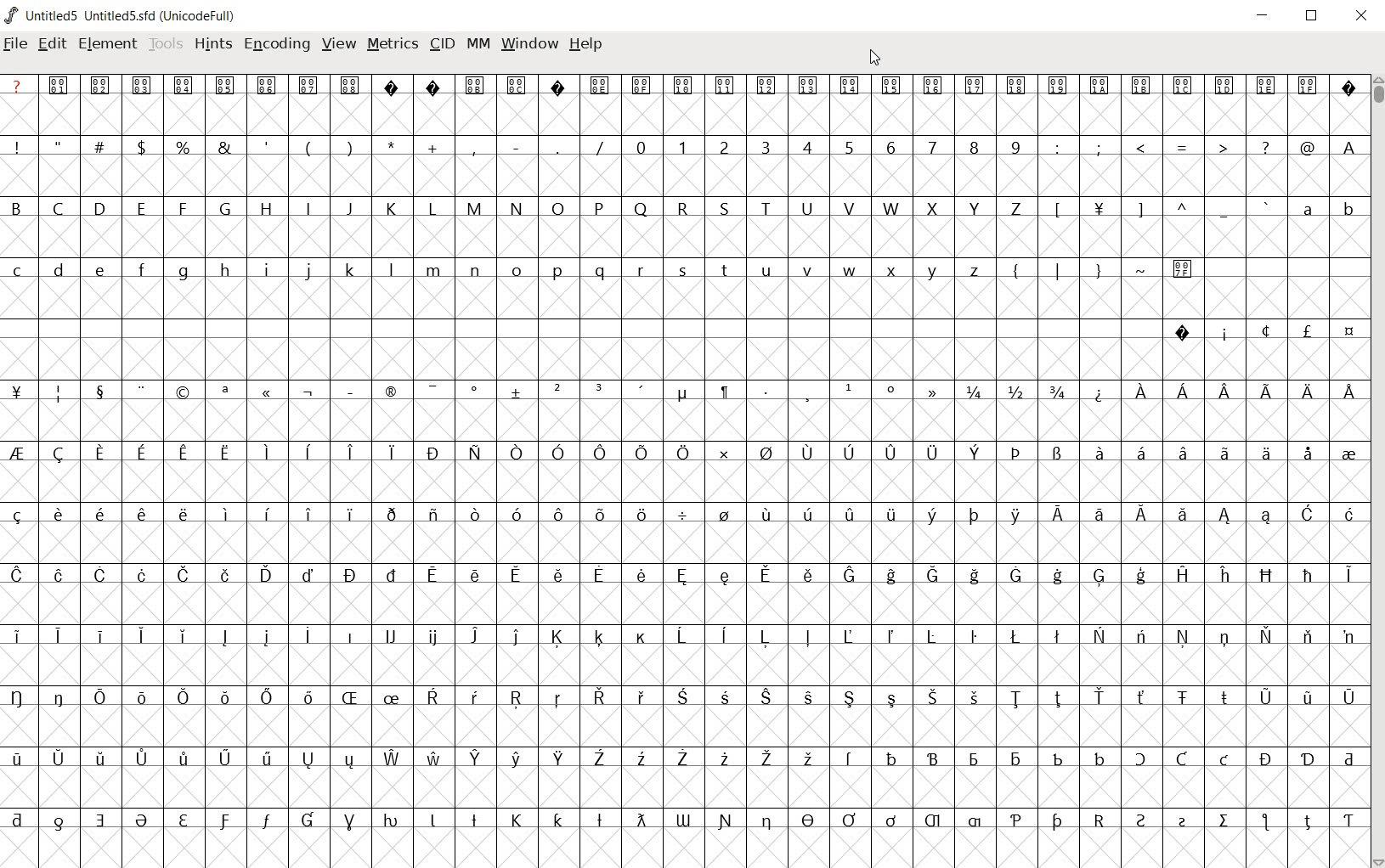 Image resolution: width=1385 pixels, height=868 pixels. I want to click on Symbol, so click(1266, 823).